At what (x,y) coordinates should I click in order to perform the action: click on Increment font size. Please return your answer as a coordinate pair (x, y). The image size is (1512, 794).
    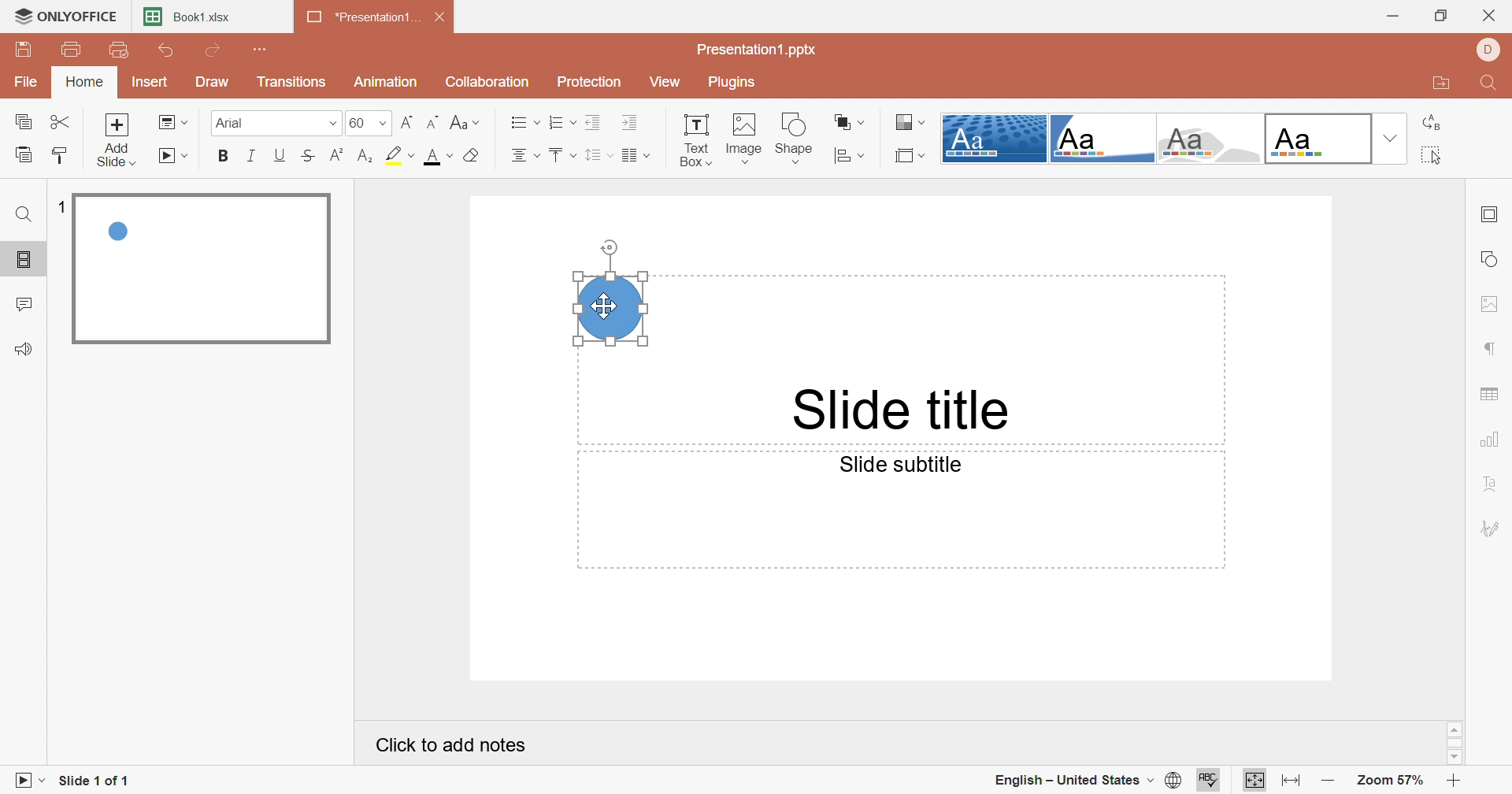
    Looking at the image, I should click on (407, 121).